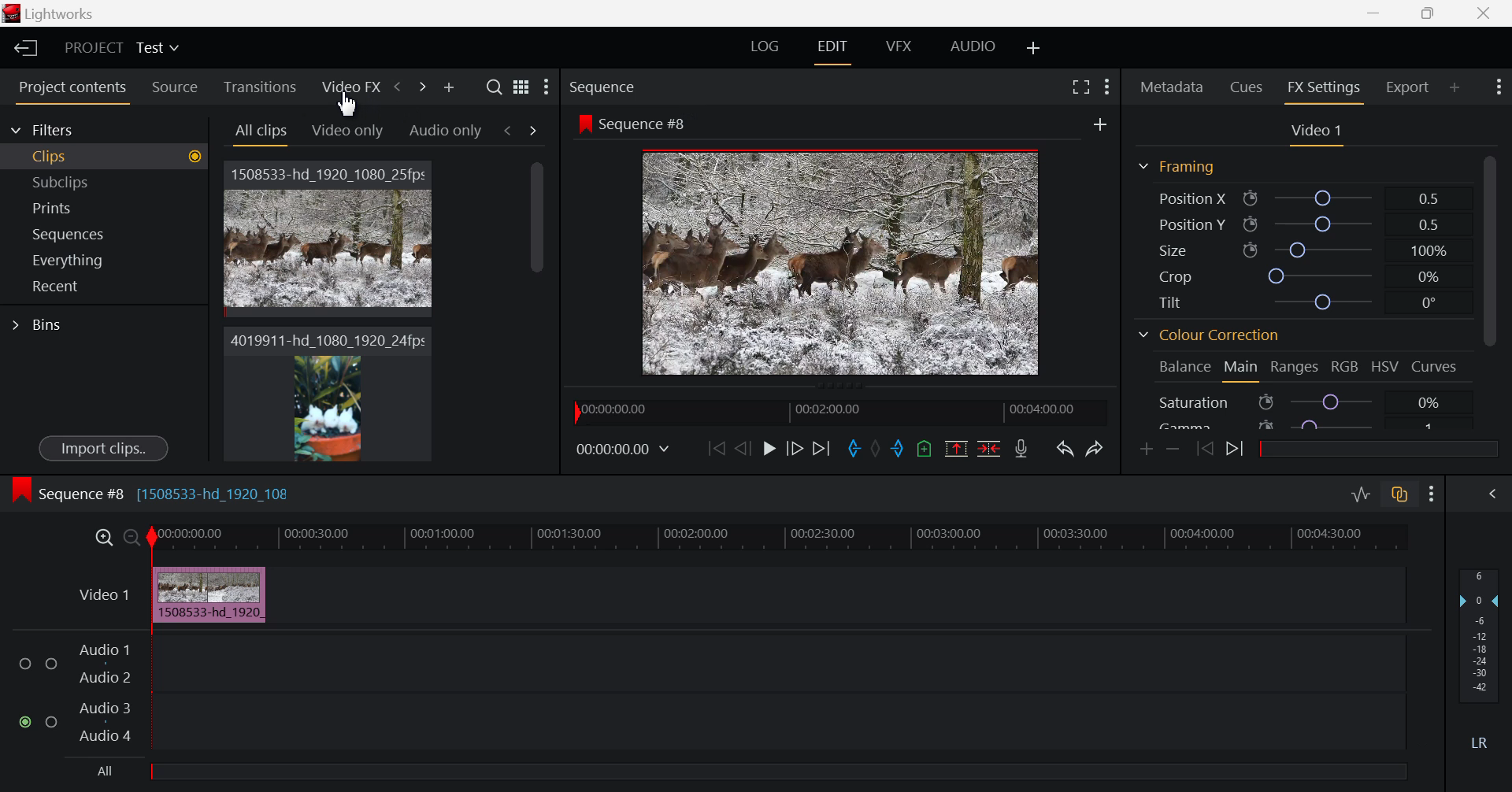  Describe the element at coordinates (102, 157) in the screenshot. I see `Clips` at that location.